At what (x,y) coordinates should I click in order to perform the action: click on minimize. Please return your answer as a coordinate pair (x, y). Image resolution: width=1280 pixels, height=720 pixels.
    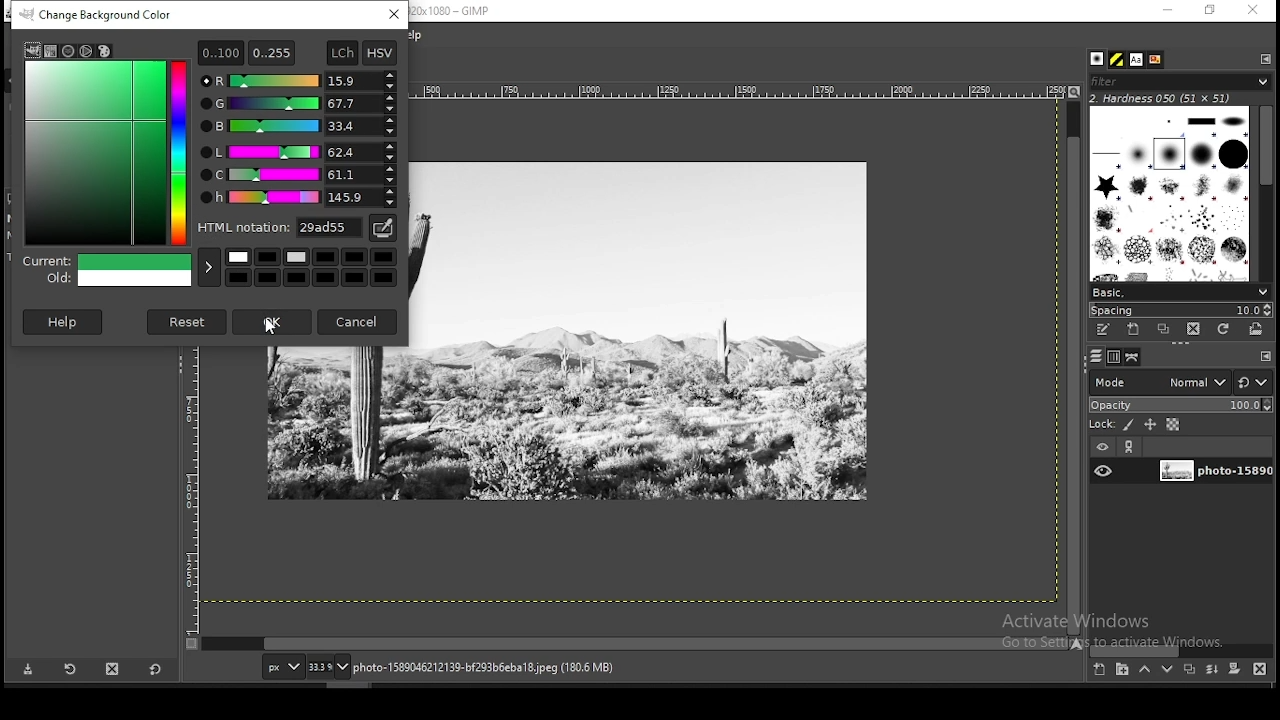
    Looking at the image, I should click on (1168, 11).